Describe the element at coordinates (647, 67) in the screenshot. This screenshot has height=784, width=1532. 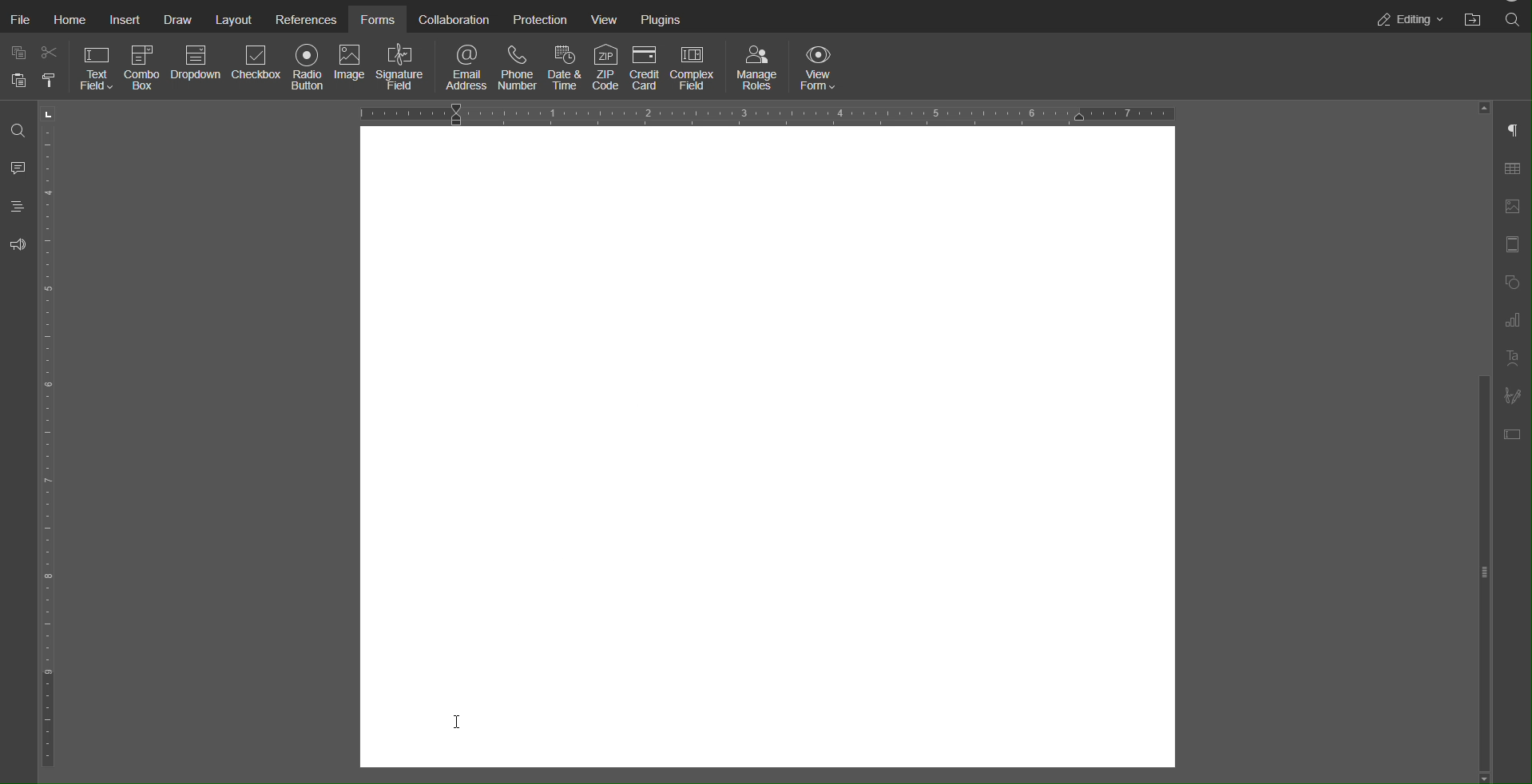
I see `Credit Card` at that location.